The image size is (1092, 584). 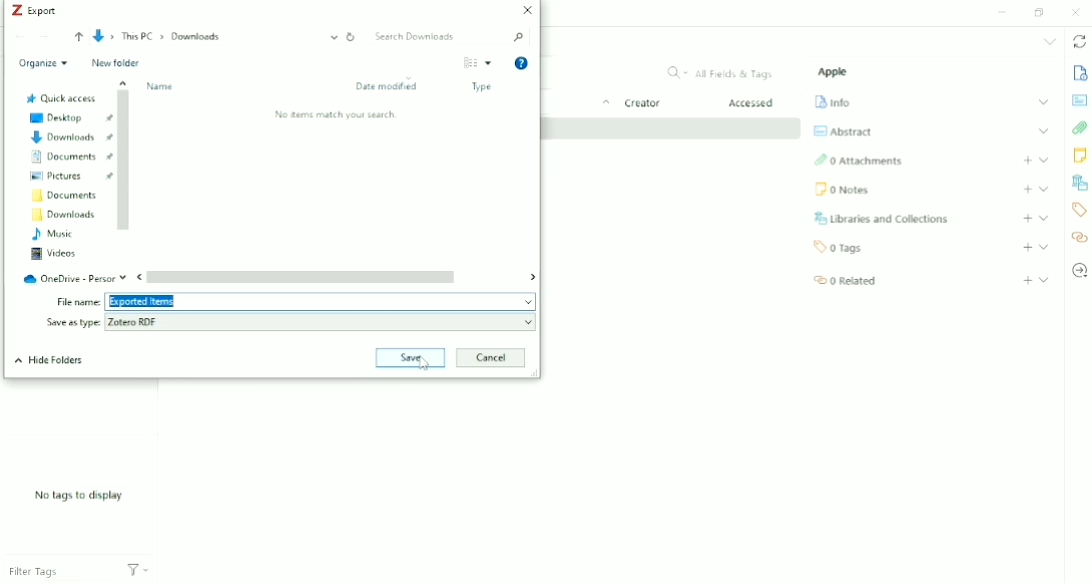 I want to click on Apple, so click(x=835, y=72).